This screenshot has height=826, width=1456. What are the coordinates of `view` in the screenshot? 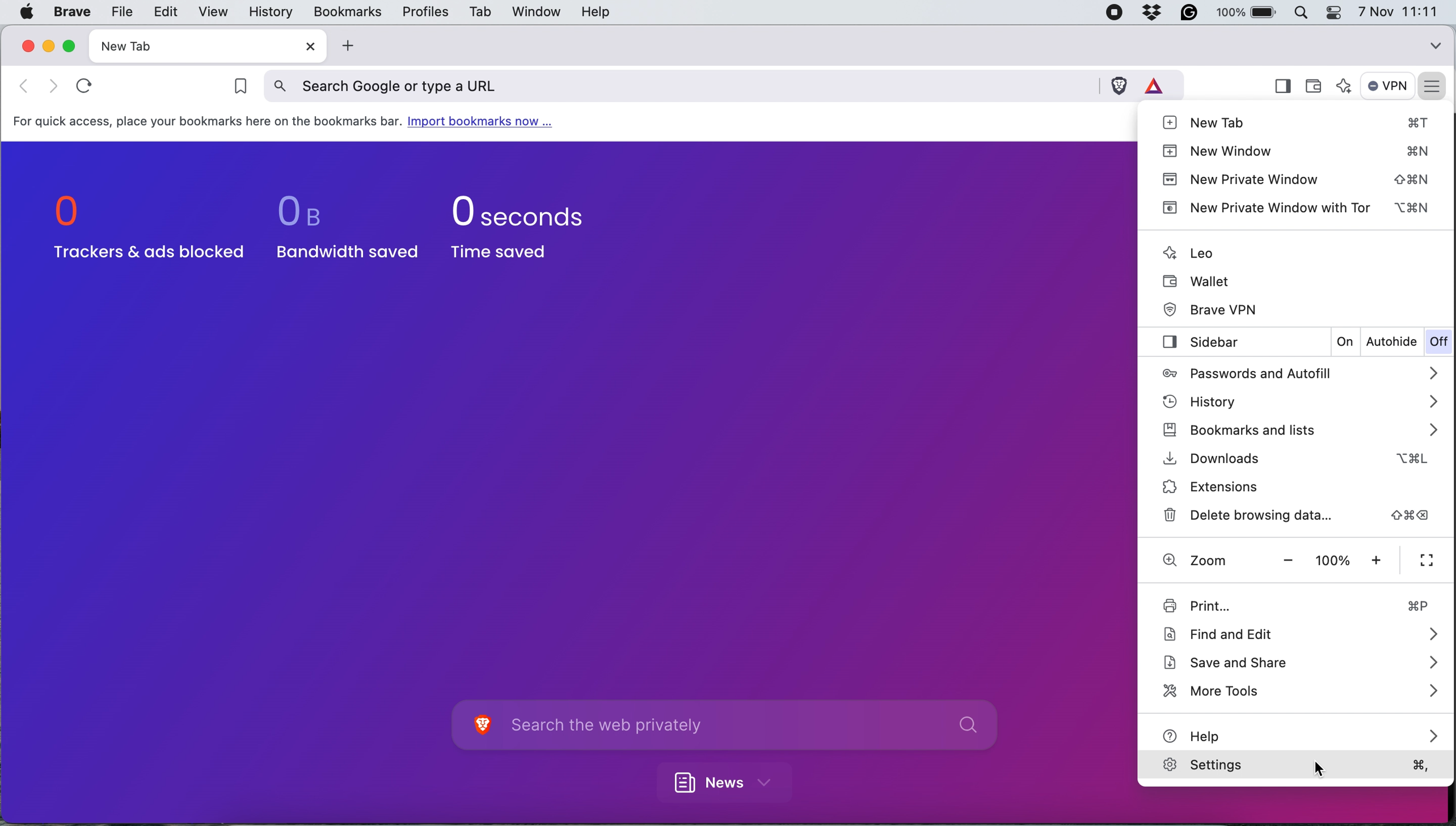 It's located at (210, 12).